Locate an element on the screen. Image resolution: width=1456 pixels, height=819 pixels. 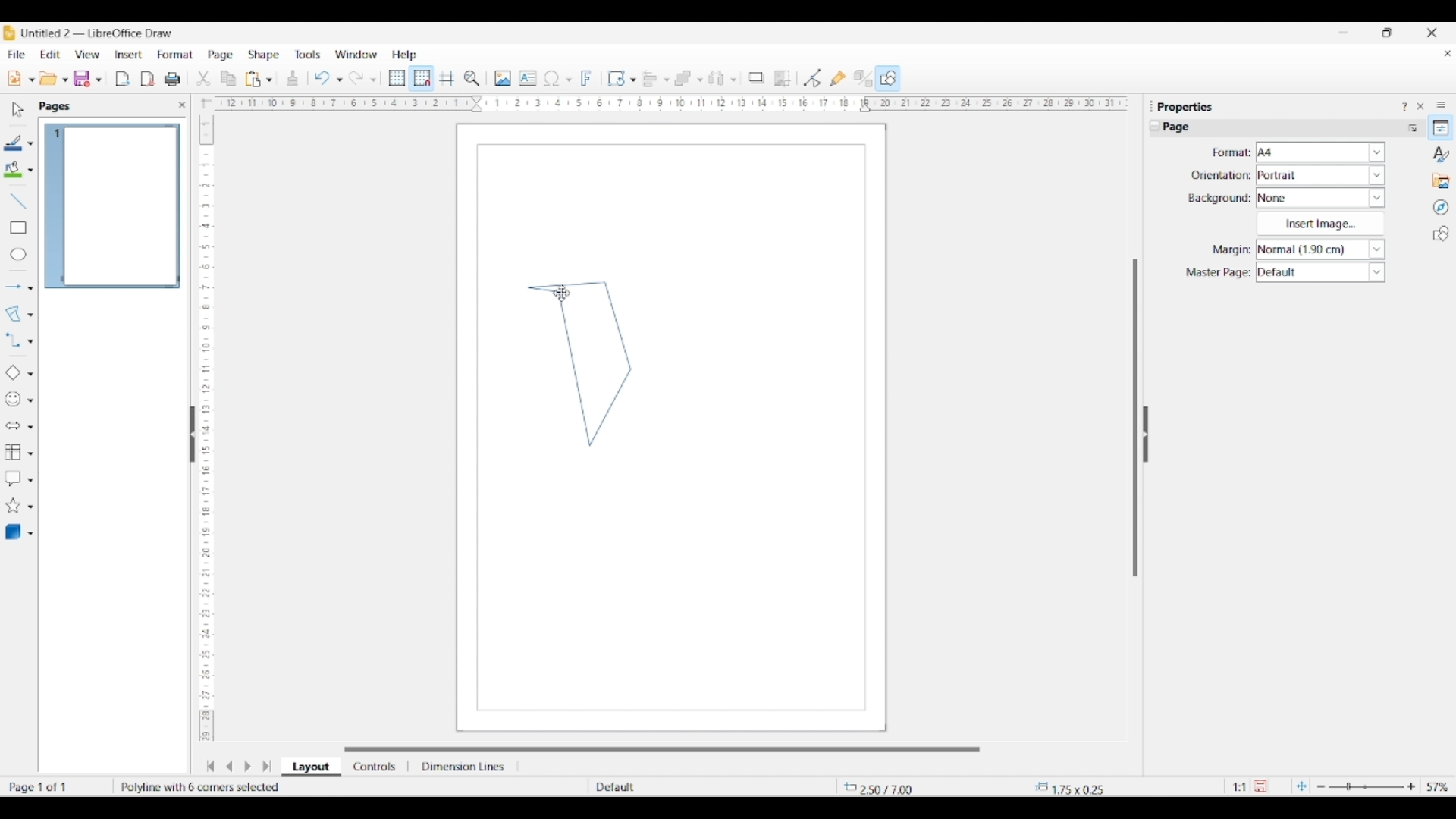
Shadow is located at coordinates (756, 77).